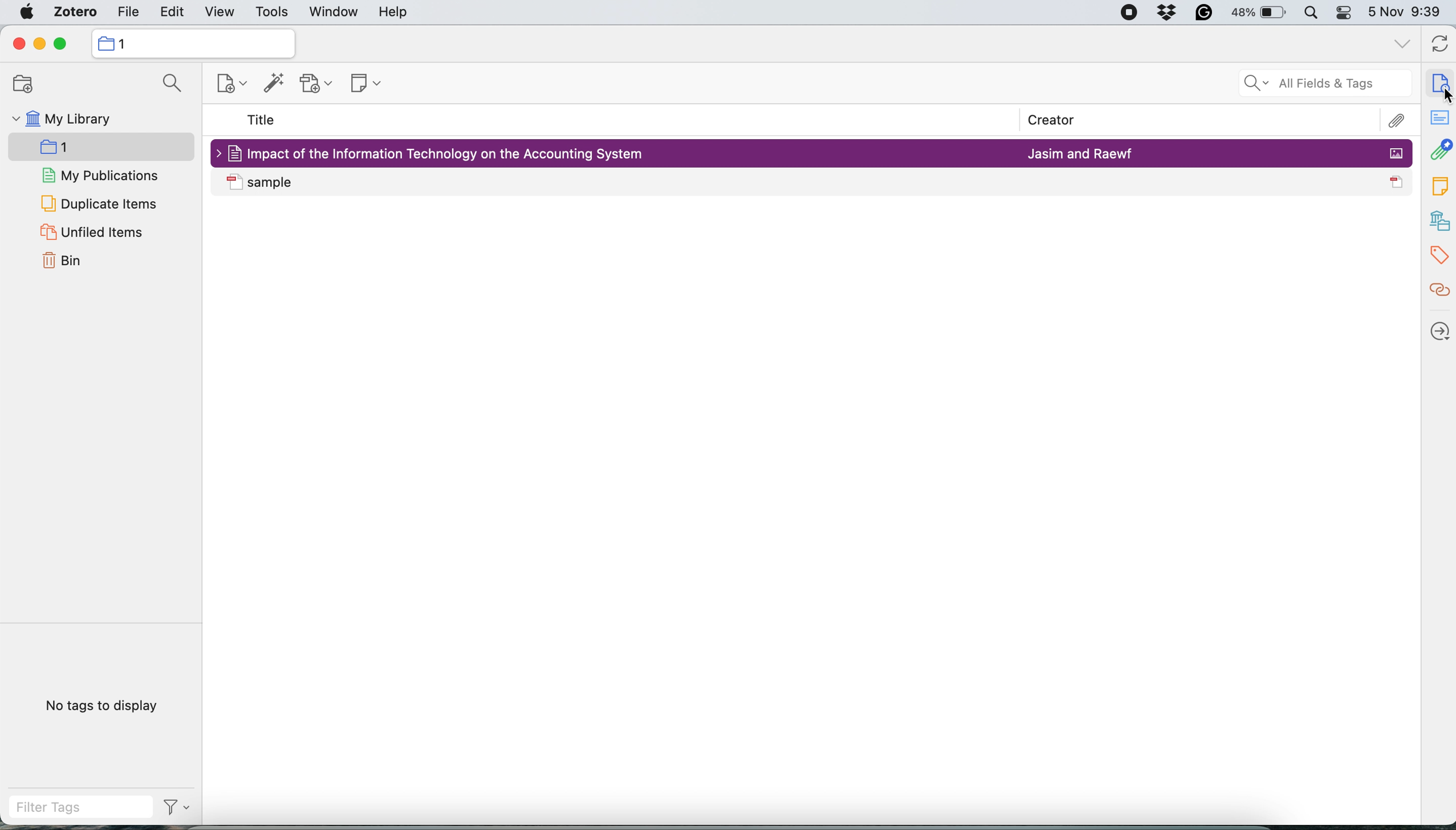  I want to click on document icon, so click(1398, 181).